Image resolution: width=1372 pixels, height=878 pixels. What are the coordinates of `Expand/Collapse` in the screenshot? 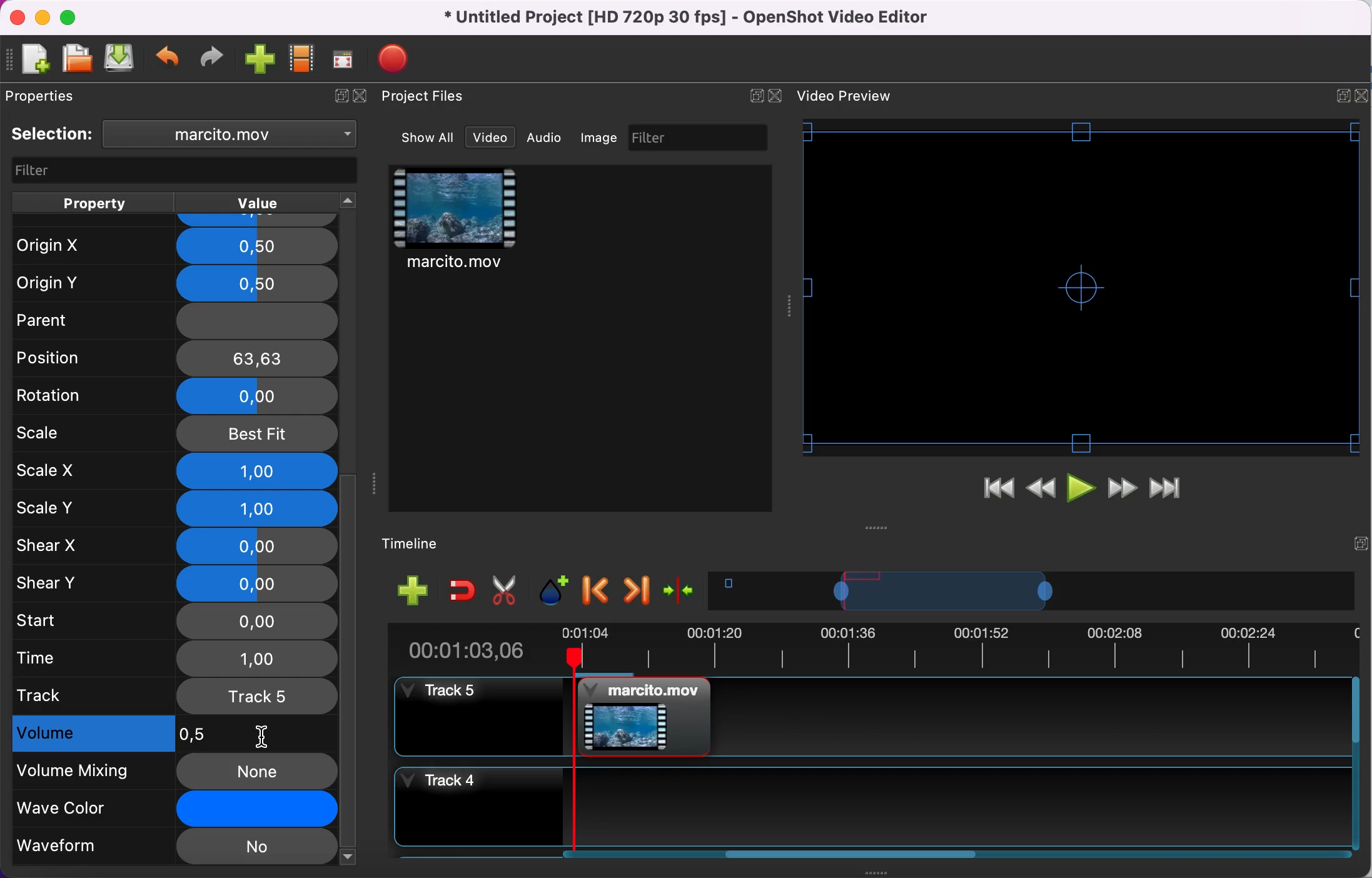 It's located at (1361, 543).